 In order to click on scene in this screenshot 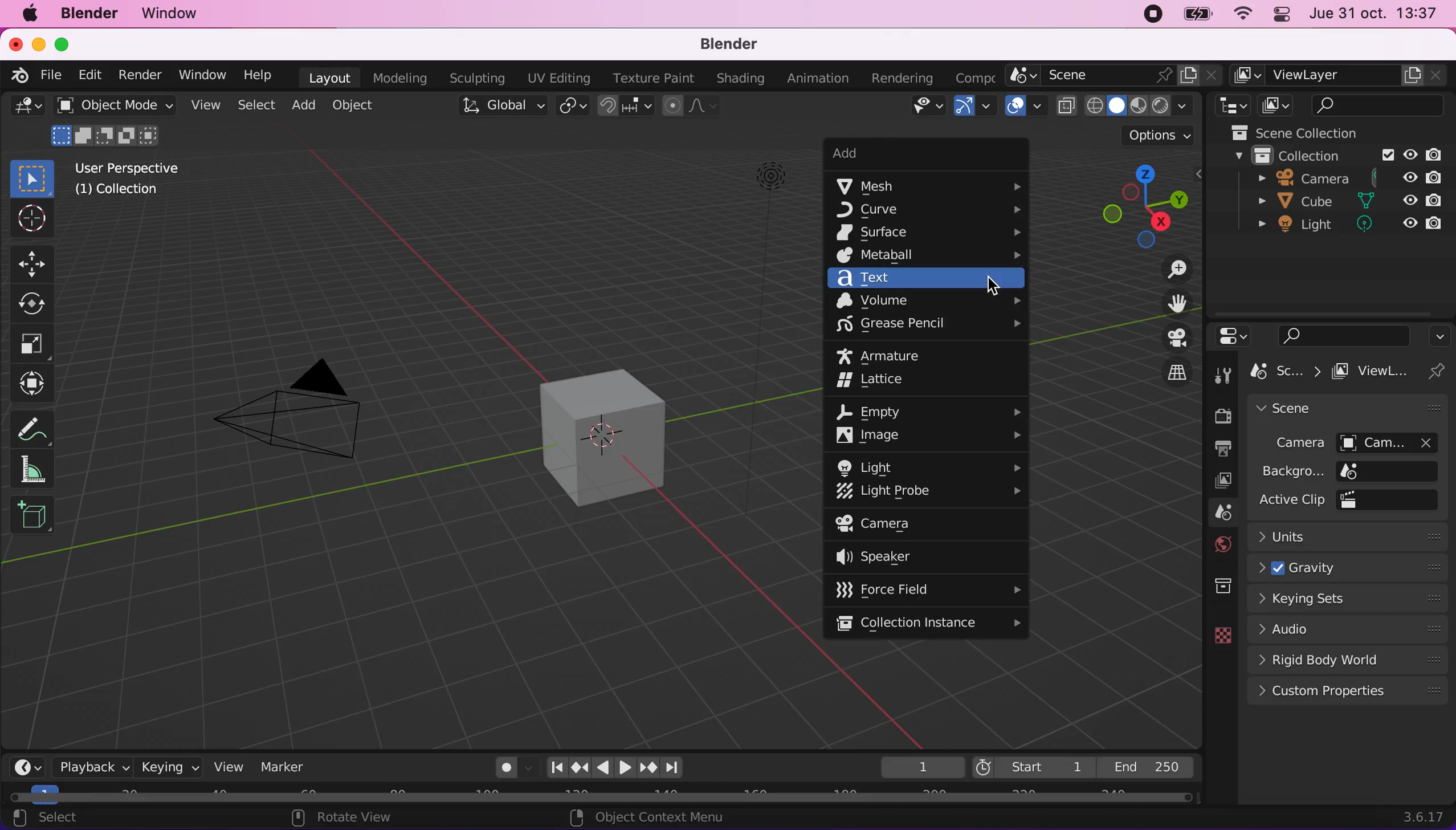, I will do `click(1284, 371)`.